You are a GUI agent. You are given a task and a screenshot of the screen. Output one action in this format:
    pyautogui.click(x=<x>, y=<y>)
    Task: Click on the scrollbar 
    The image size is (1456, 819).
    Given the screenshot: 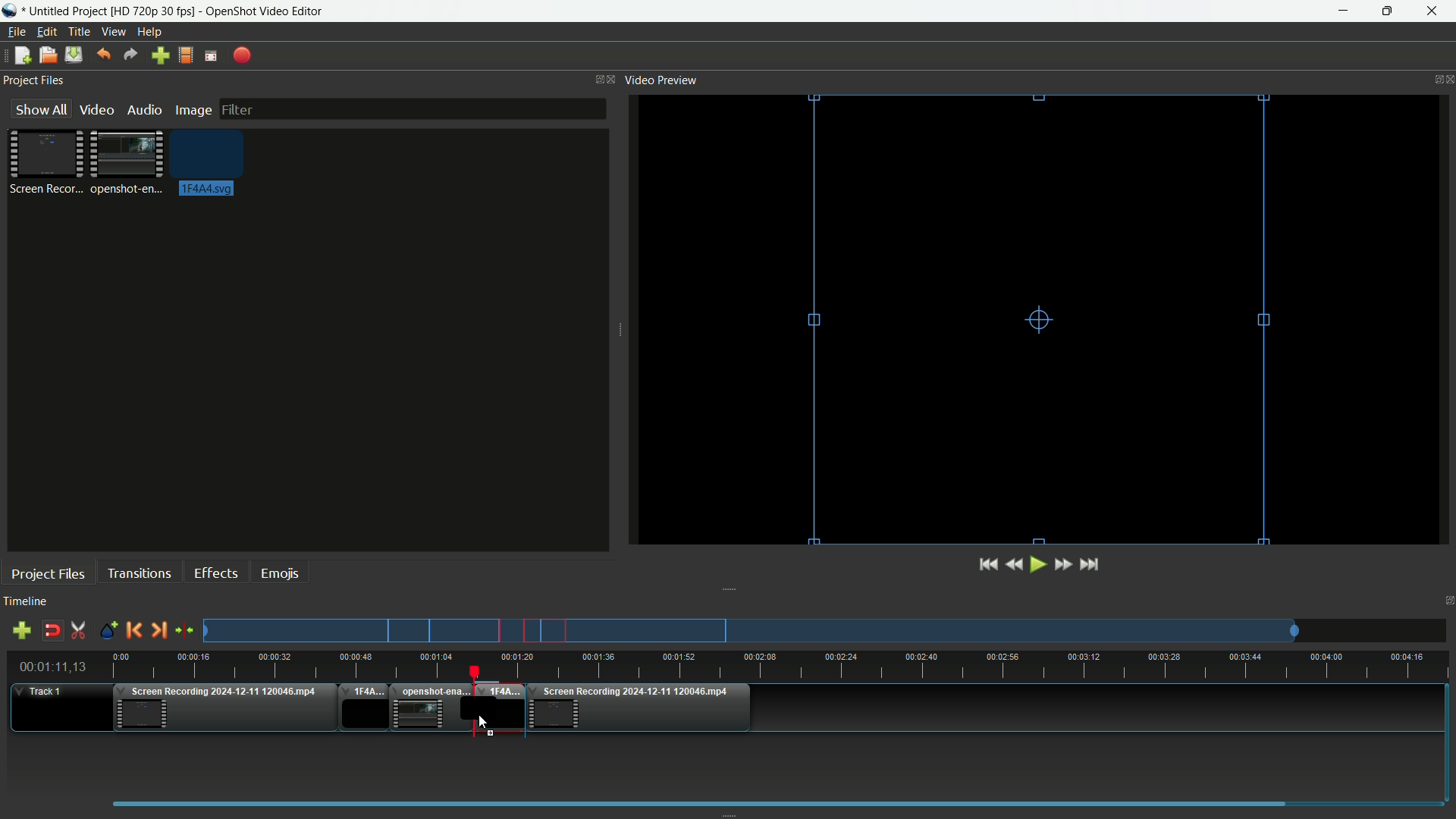 What is the action you would take?
    pyautogui.click(x=771, y=802)
    